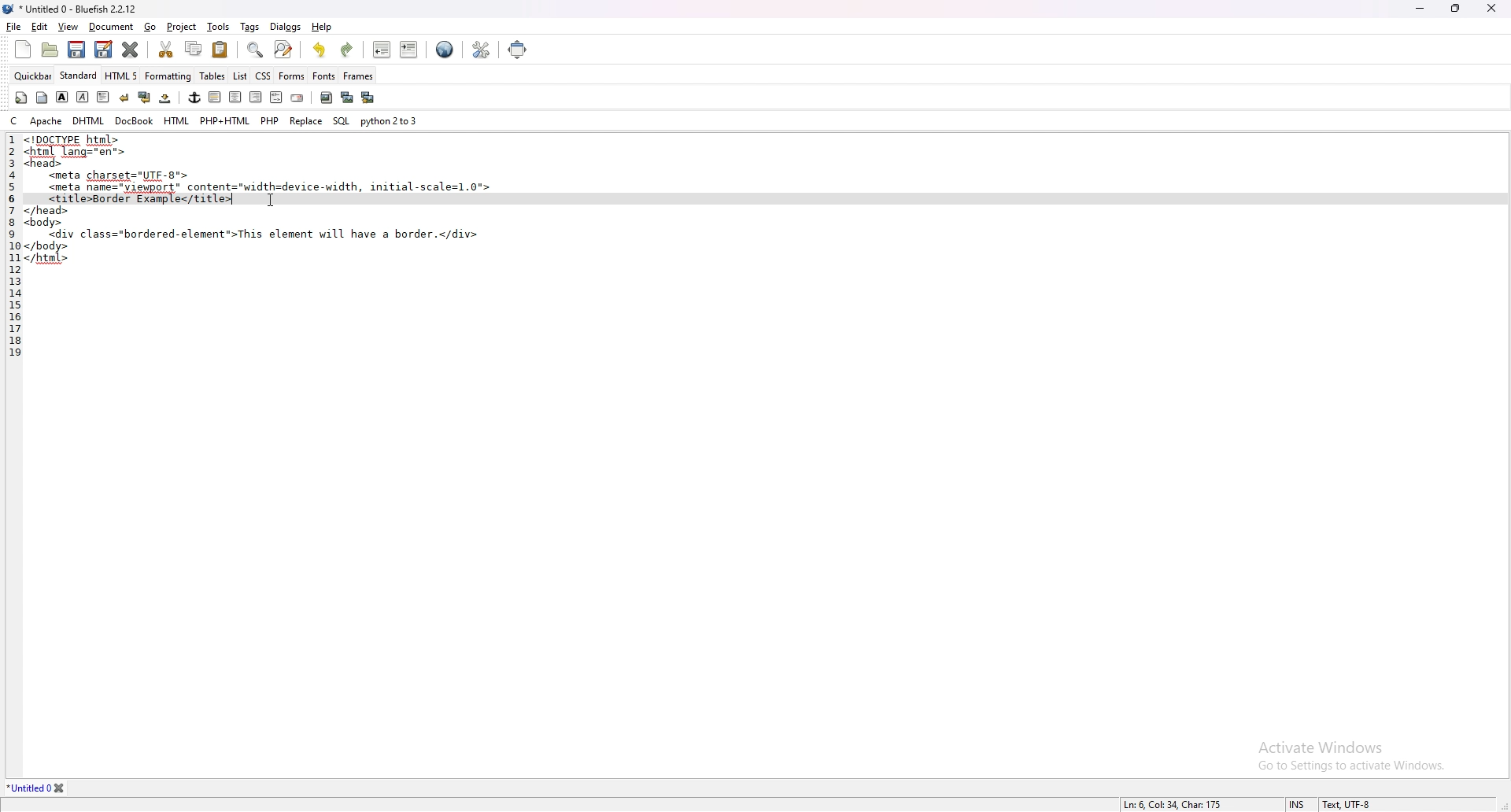 The width and height of the screenshot is (1511, 812). I want to click on 1 2 3 4 5 6 7 8 9 10 11 12 13 14 15 16 17 18 19, so click(10, 256).